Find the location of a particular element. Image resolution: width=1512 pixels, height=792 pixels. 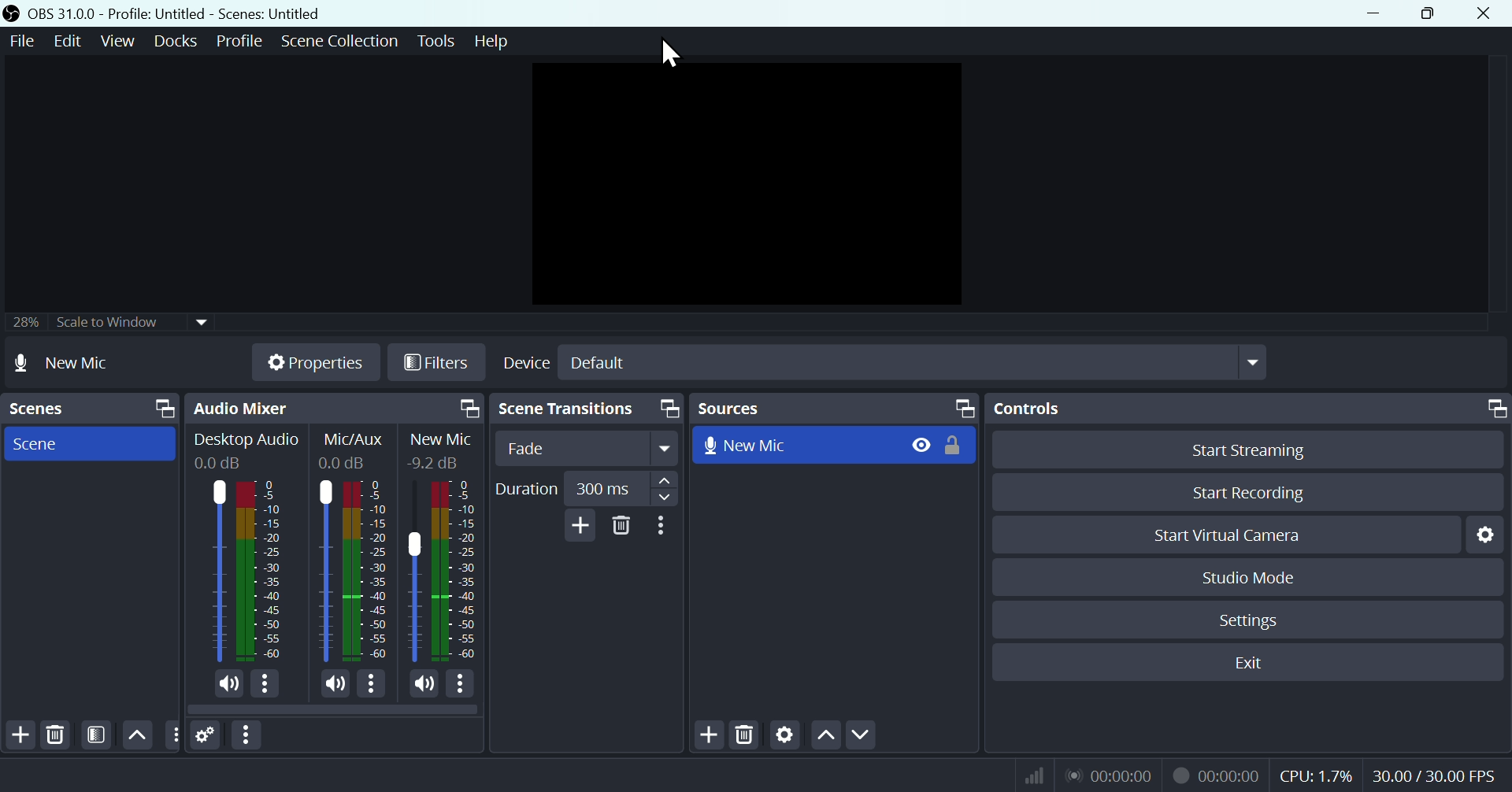

Recording Status is located at coordinates (1217, 775).